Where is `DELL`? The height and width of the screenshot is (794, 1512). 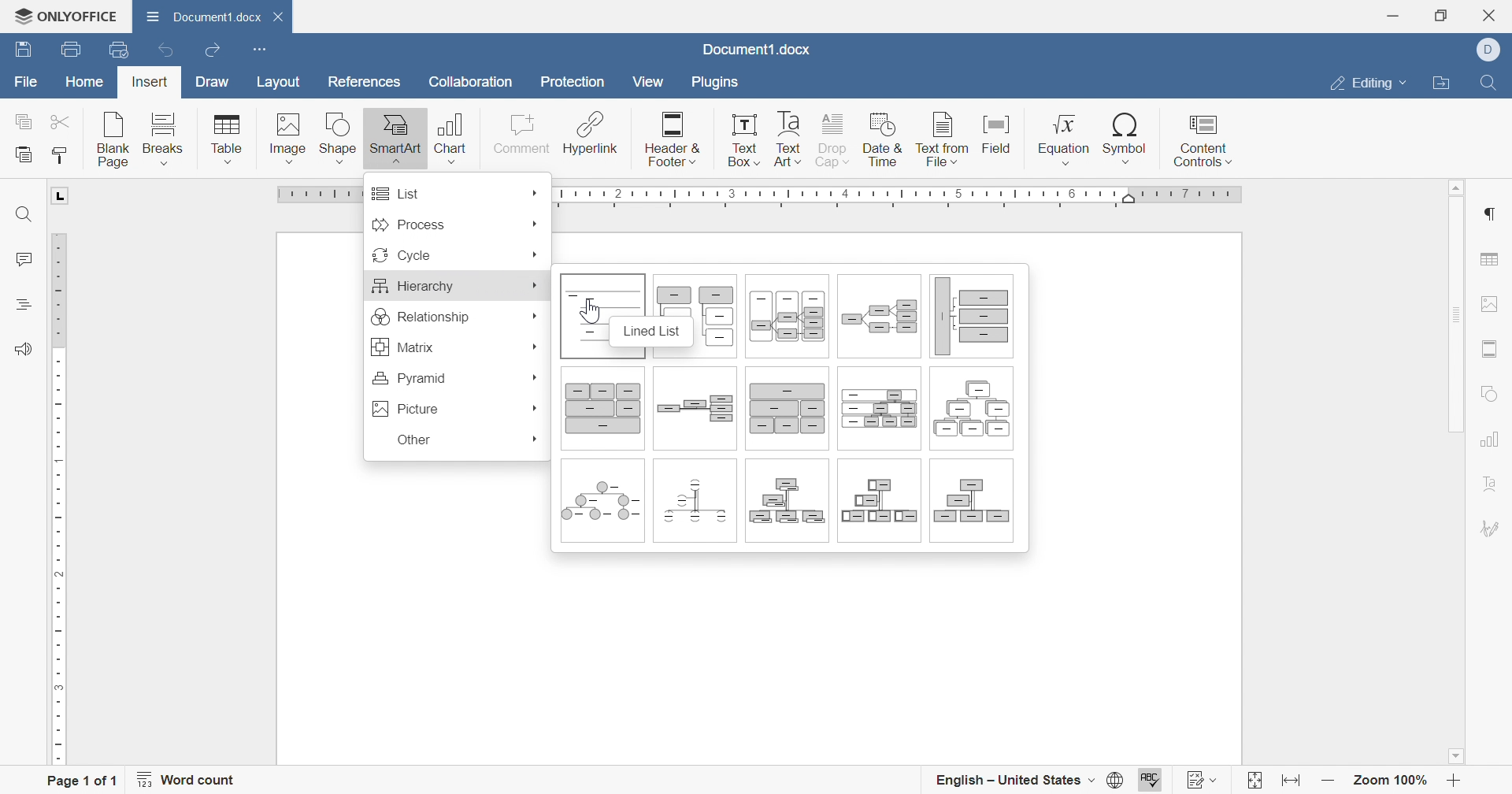 DELL is located at coordinates (1489, 50).